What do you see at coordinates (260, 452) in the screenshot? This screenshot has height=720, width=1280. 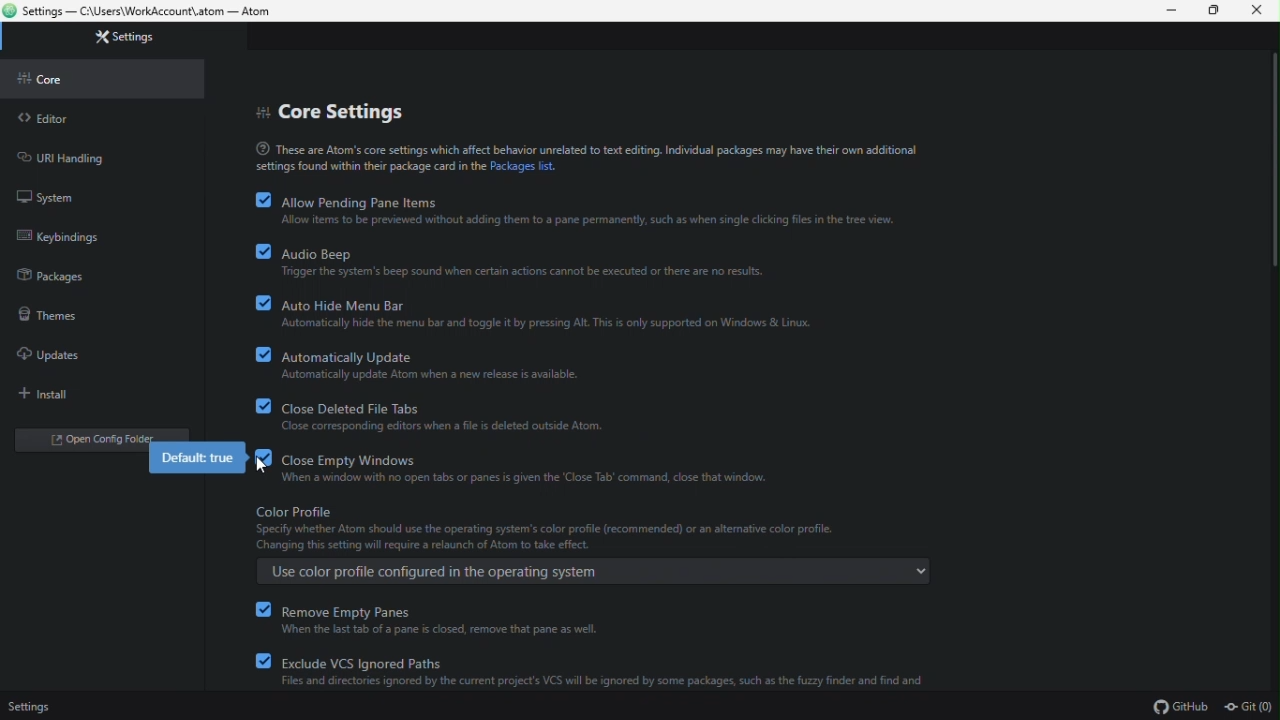 I see `checkbox` at bounding box center [260, 452].